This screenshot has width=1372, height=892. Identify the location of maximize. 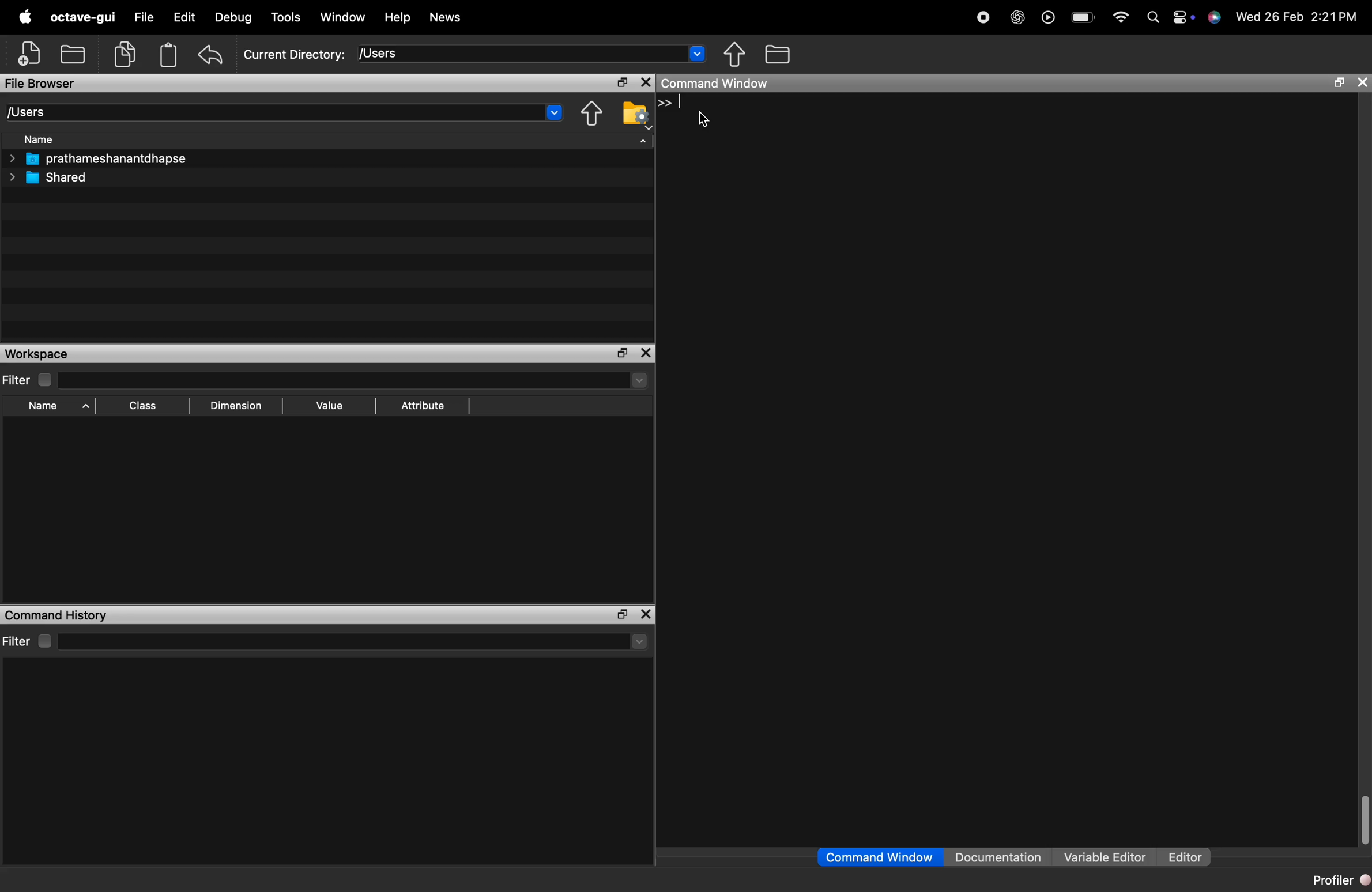
(1336, 80).